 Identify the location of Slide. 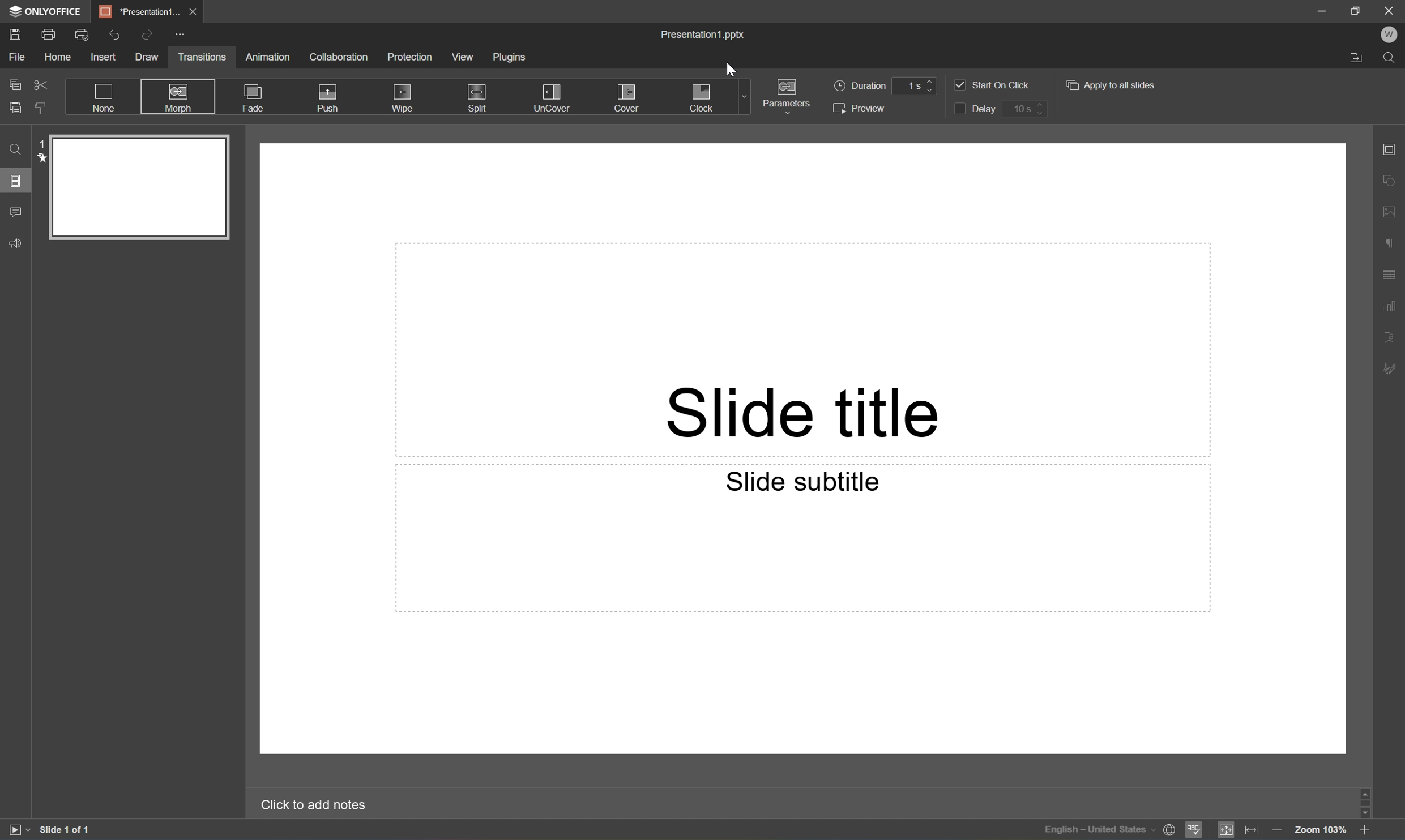
(139, 187).